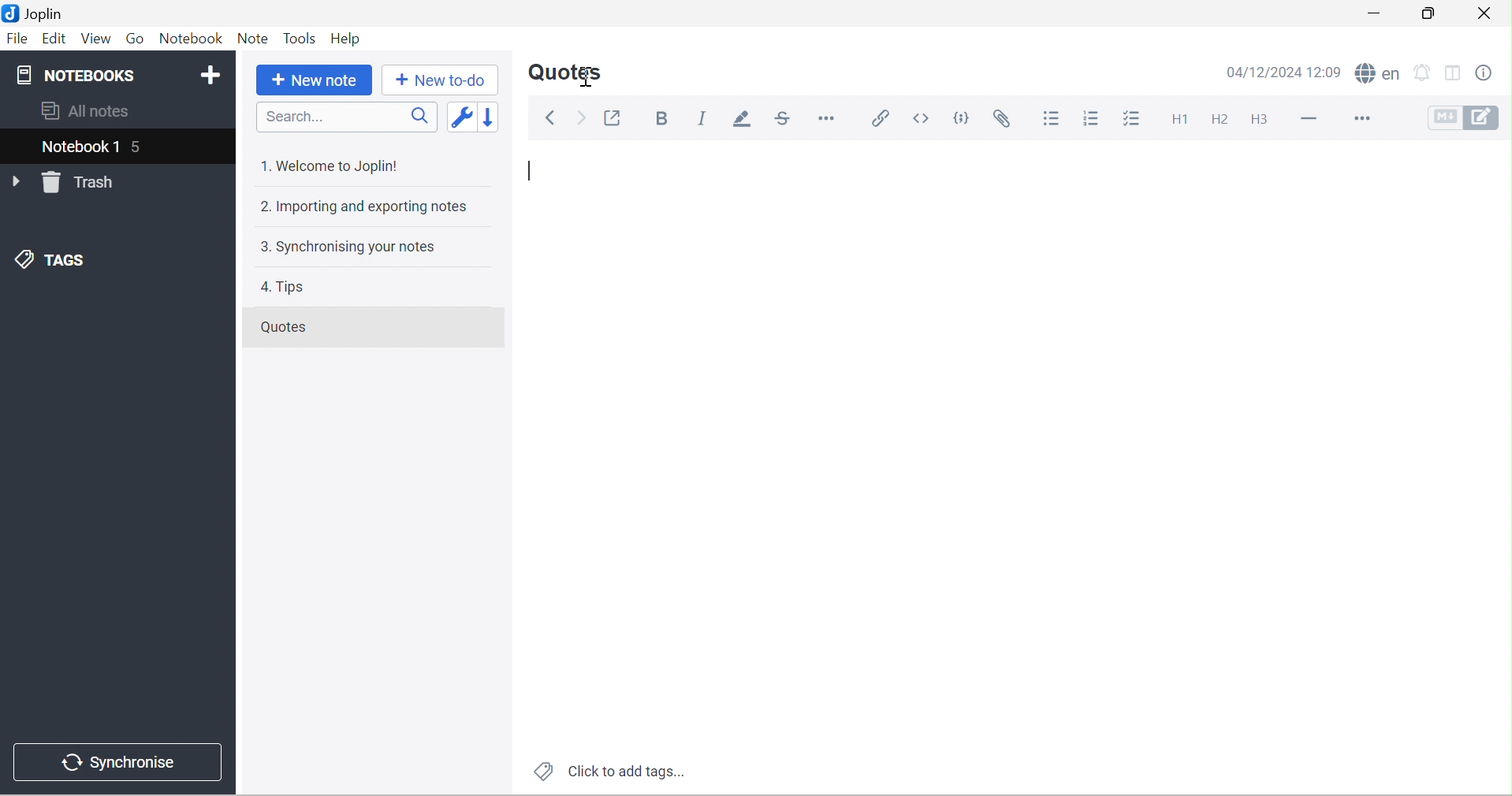 The height and width of the screenshot is (796, 1512). Describe the element at coordinates (568, 73) in the screenshot. I see `Quotes` at that location.